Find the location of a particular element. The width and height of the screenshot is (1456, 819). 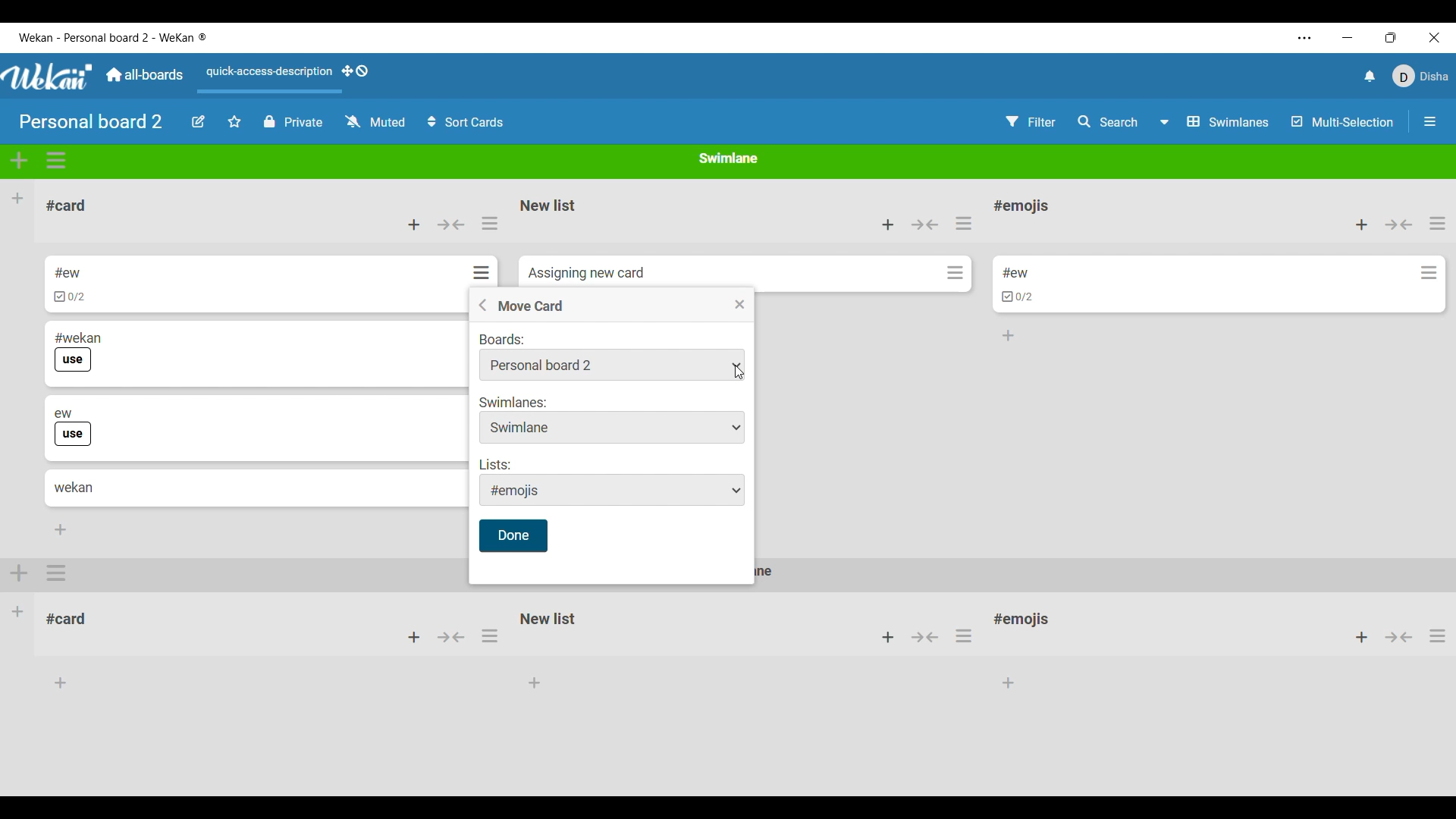

Collapse is located at coordinates (925, 224).